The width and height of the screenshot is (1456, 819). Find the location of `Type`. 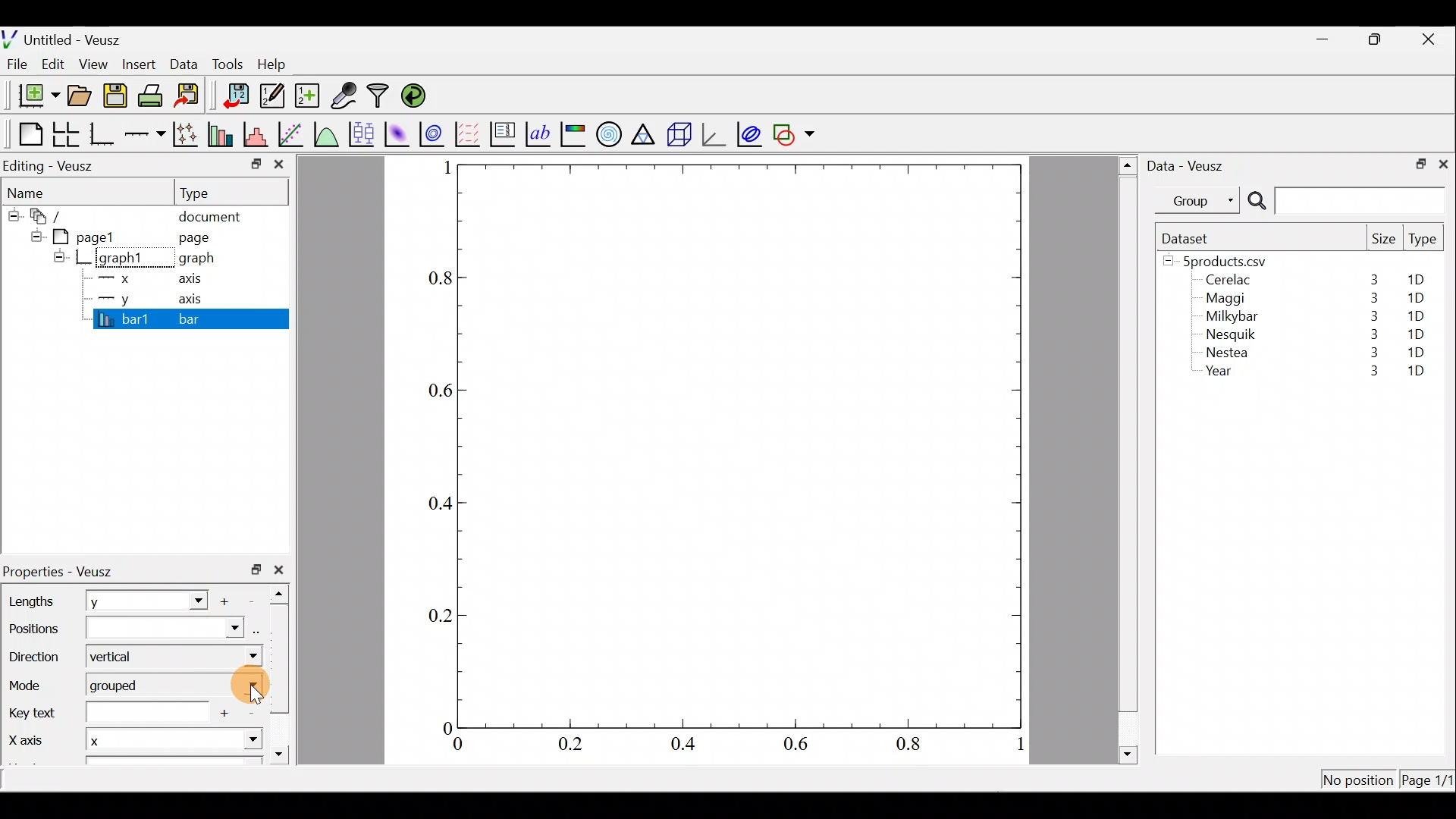

Type is located at coordinates (1424, 243).